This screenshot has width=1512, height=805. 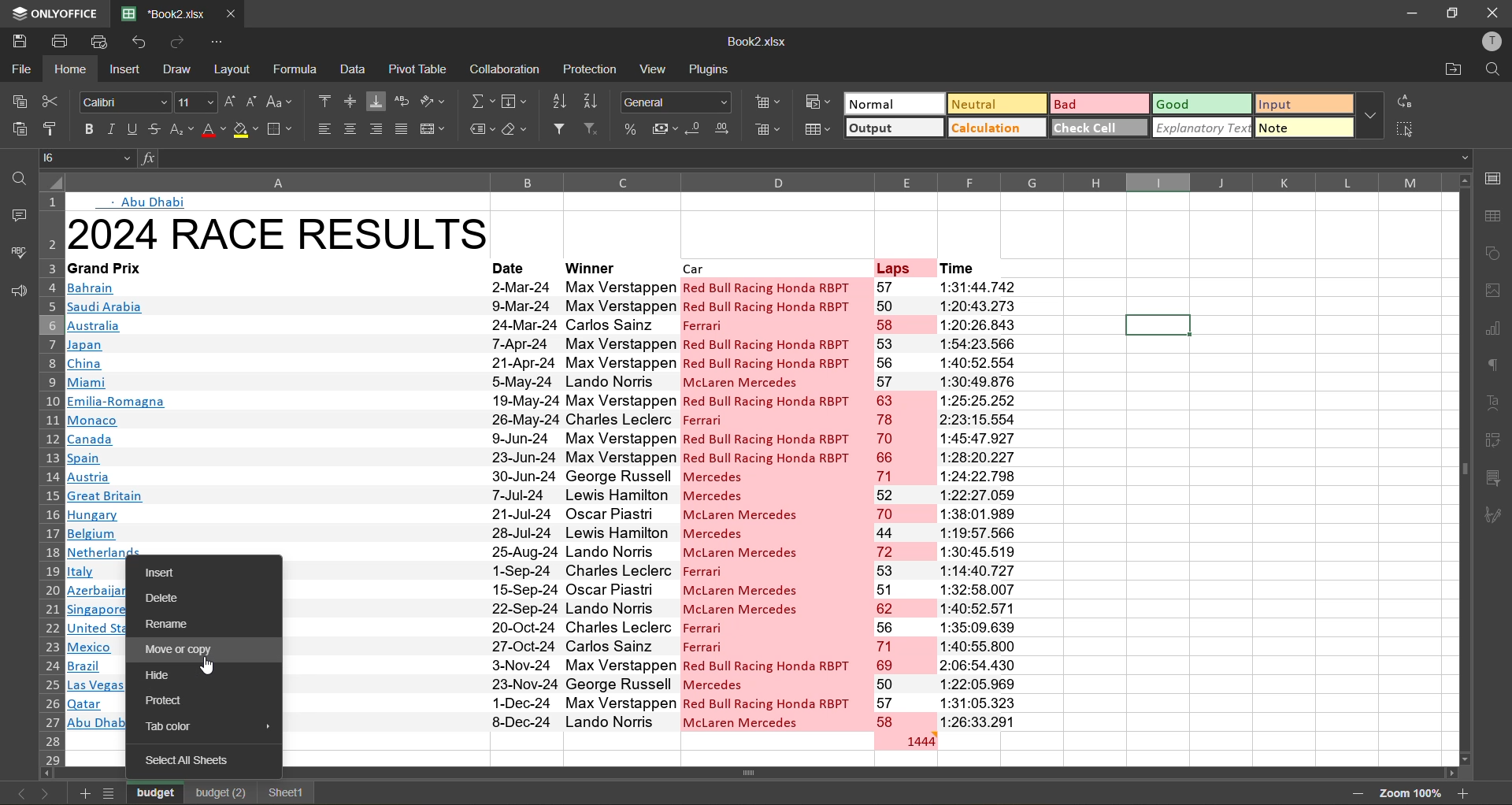 I want to click on feedback, so click(x=16, y=292).